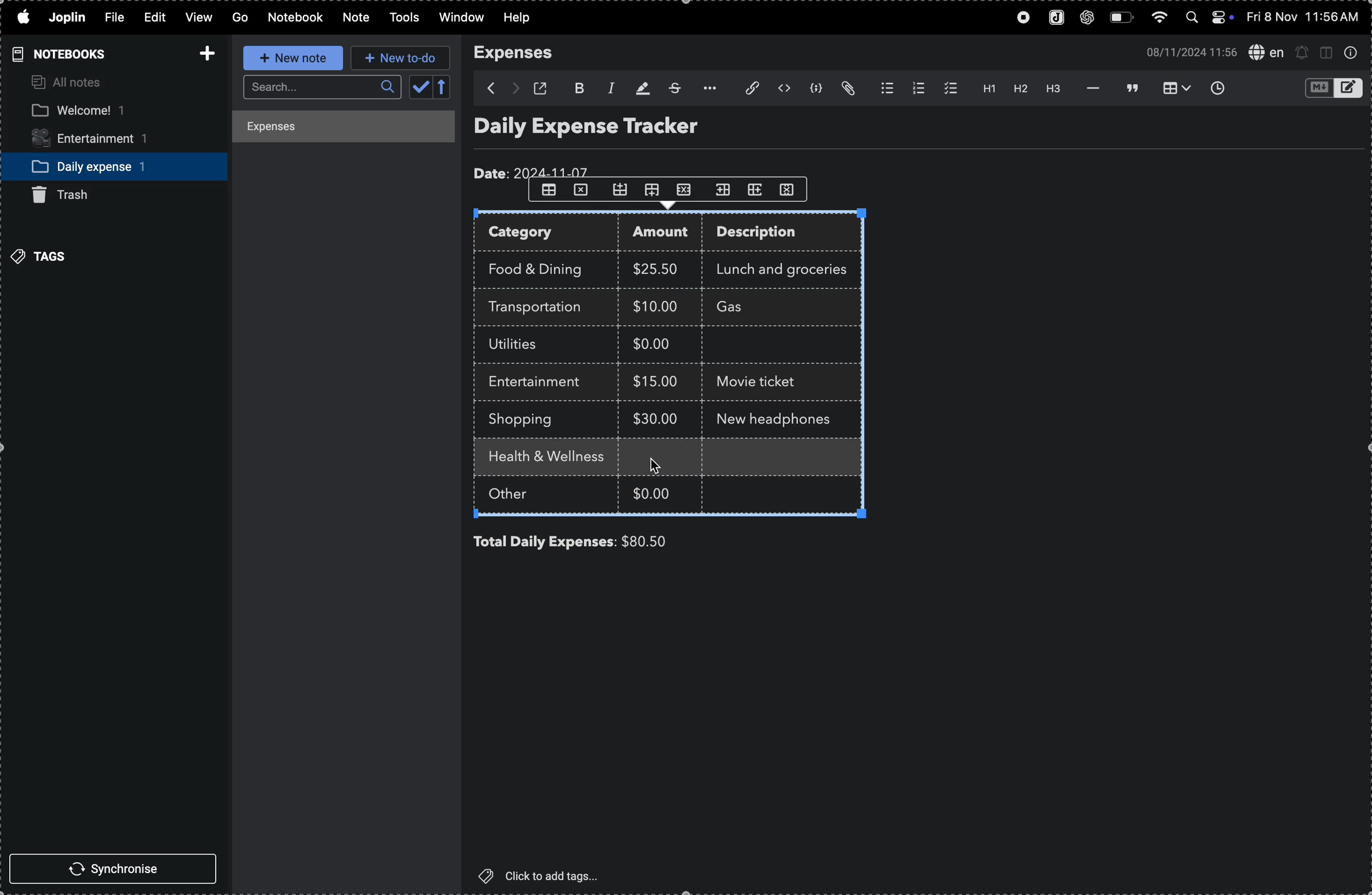  What do you see at coordinates (196, 18) in the screenshot?
I see `view` at bounding box center [196, 18].